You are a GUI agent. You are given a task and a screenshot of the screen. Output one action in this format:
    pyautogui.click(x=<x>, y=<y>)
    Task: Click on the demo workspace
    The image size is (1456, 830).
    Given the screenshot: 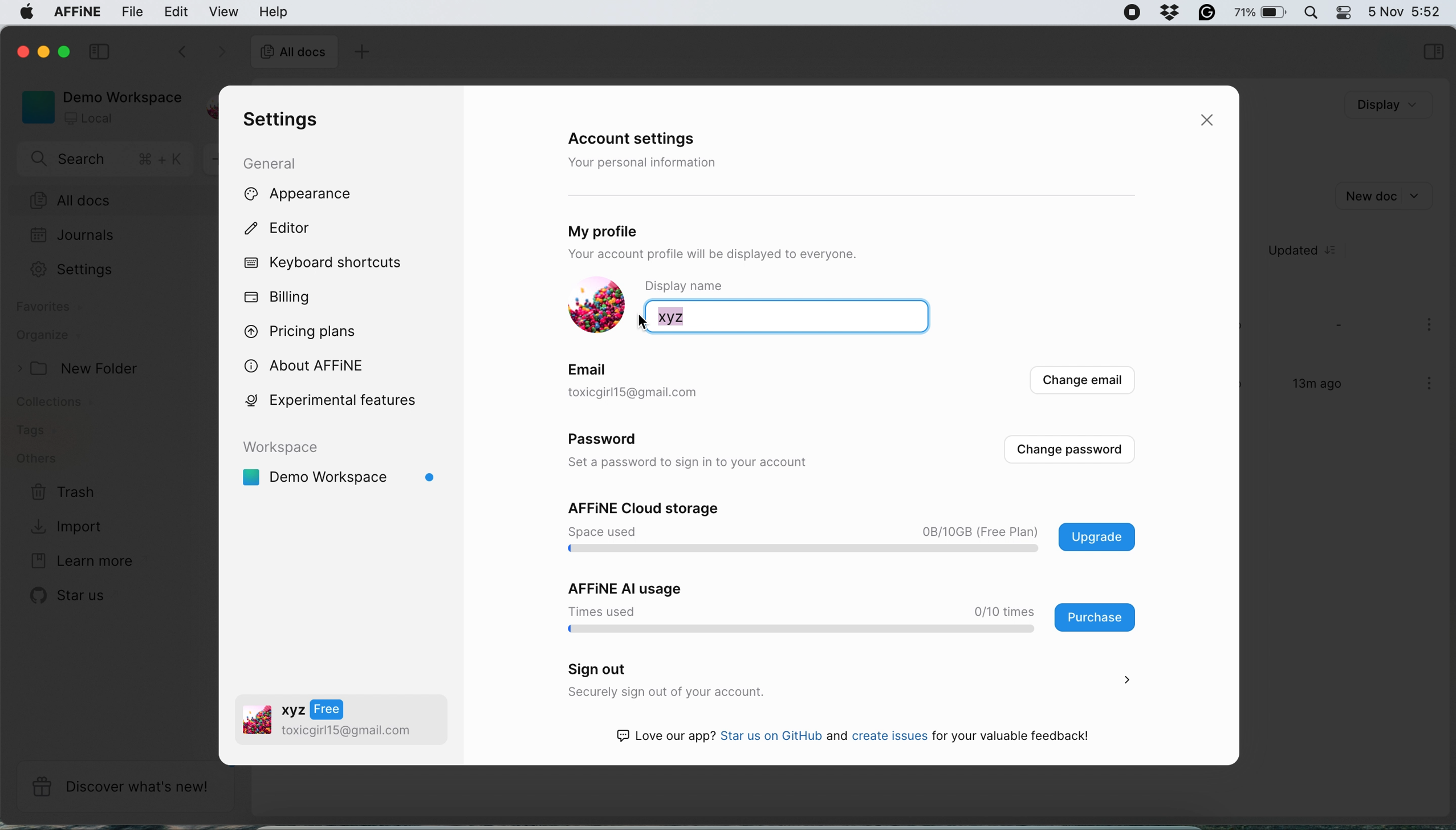 What is the action you would take?
    pyautogui.click(x=344, y=469)
    